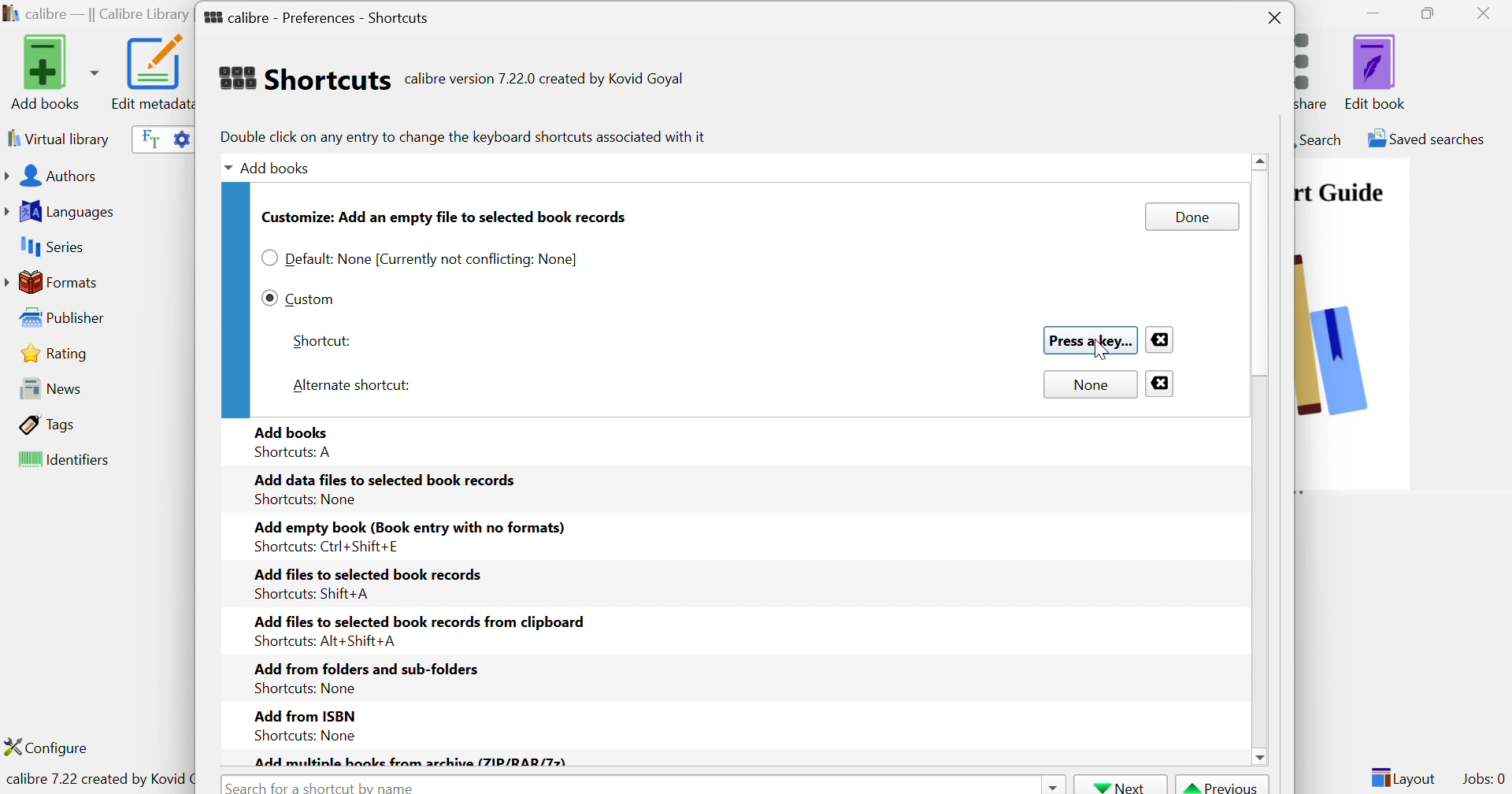 This screenshot has height=794, width=1512. I want to click on Add multiple books from archive (ZIP/RAR/Z), so click(410, 761).